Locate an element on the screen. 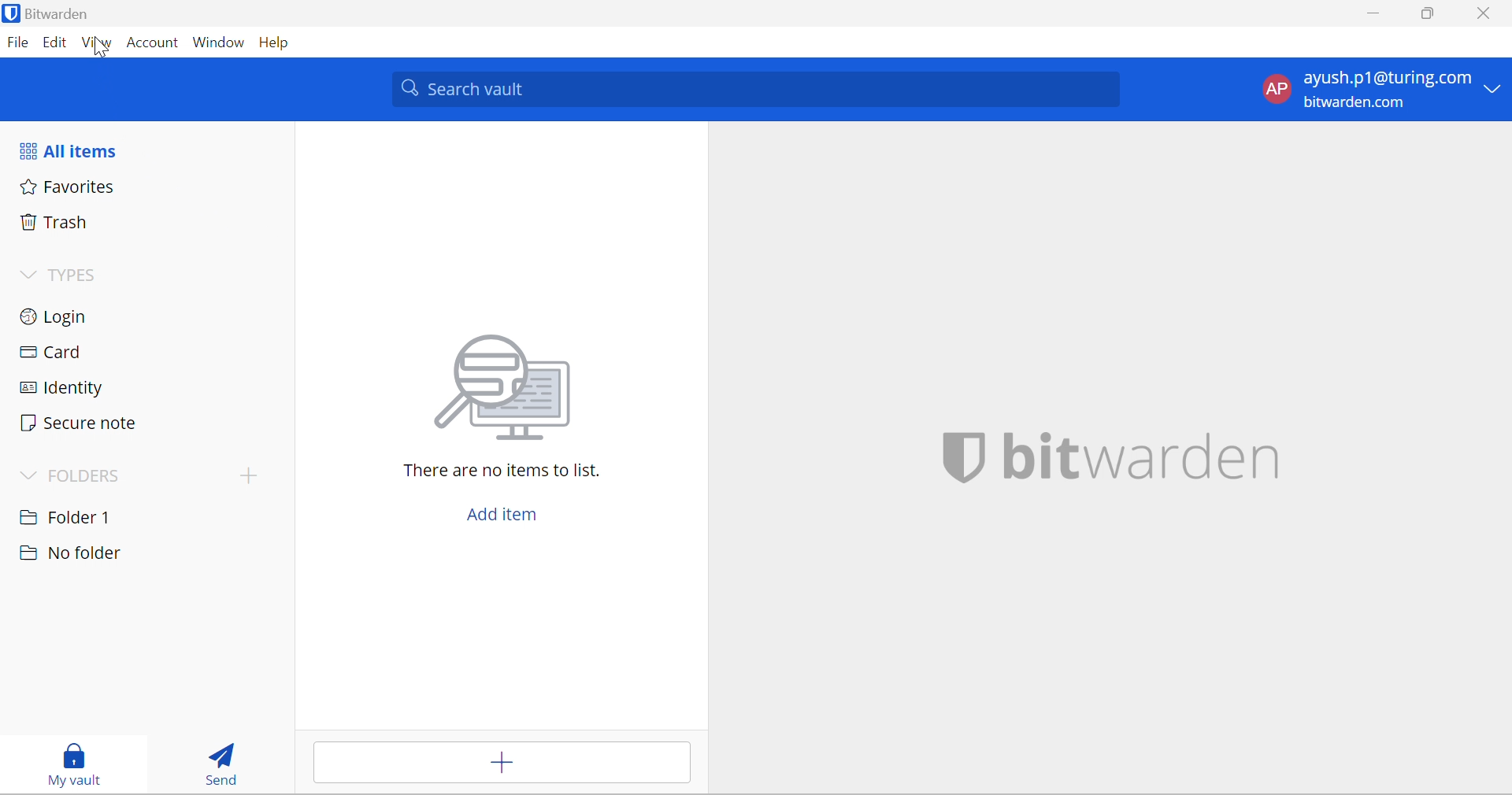  cursor is located at coordinates (97, 54).